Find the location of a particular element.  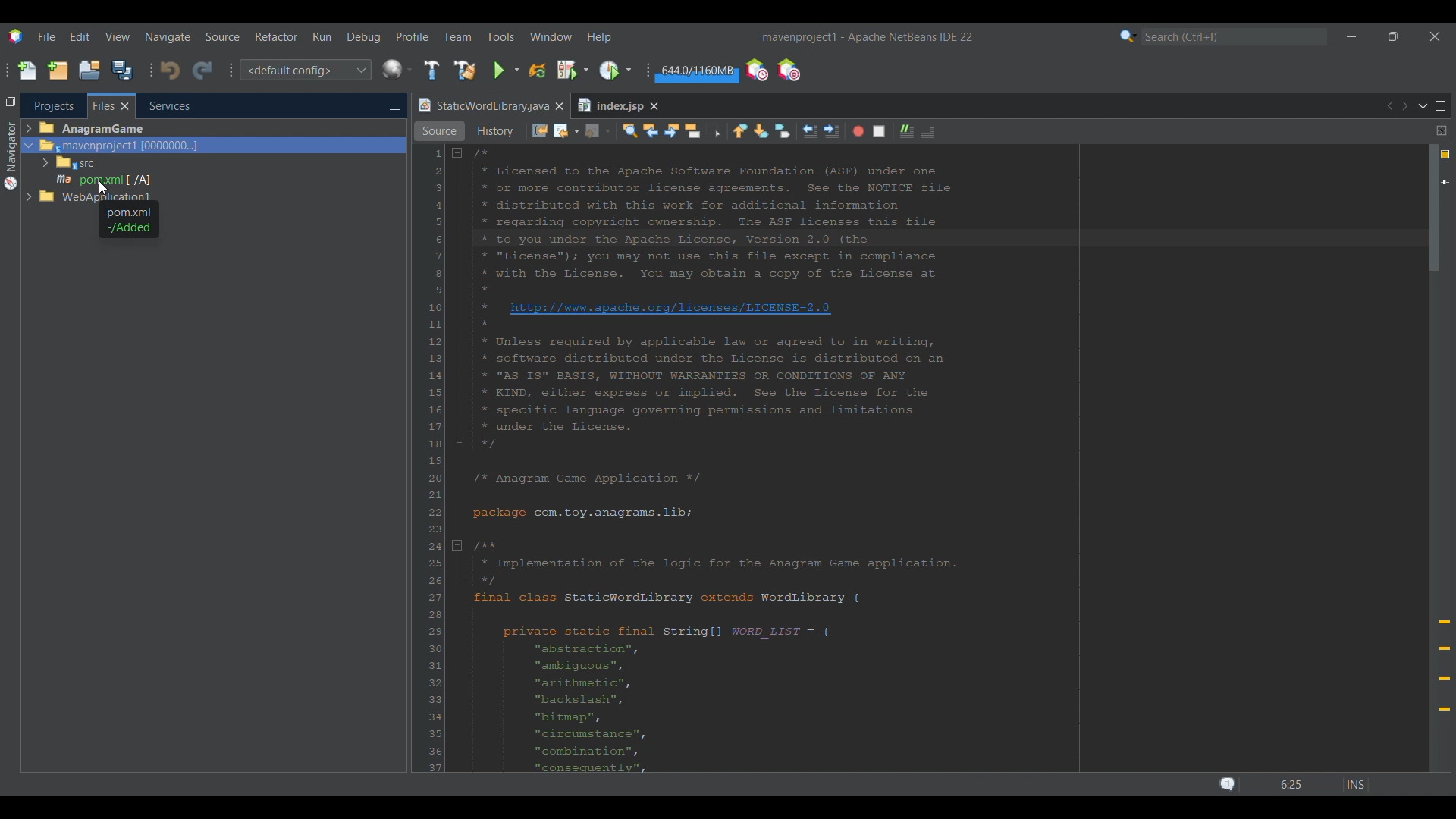

Status bar details is located at coordinates (1289, 784).